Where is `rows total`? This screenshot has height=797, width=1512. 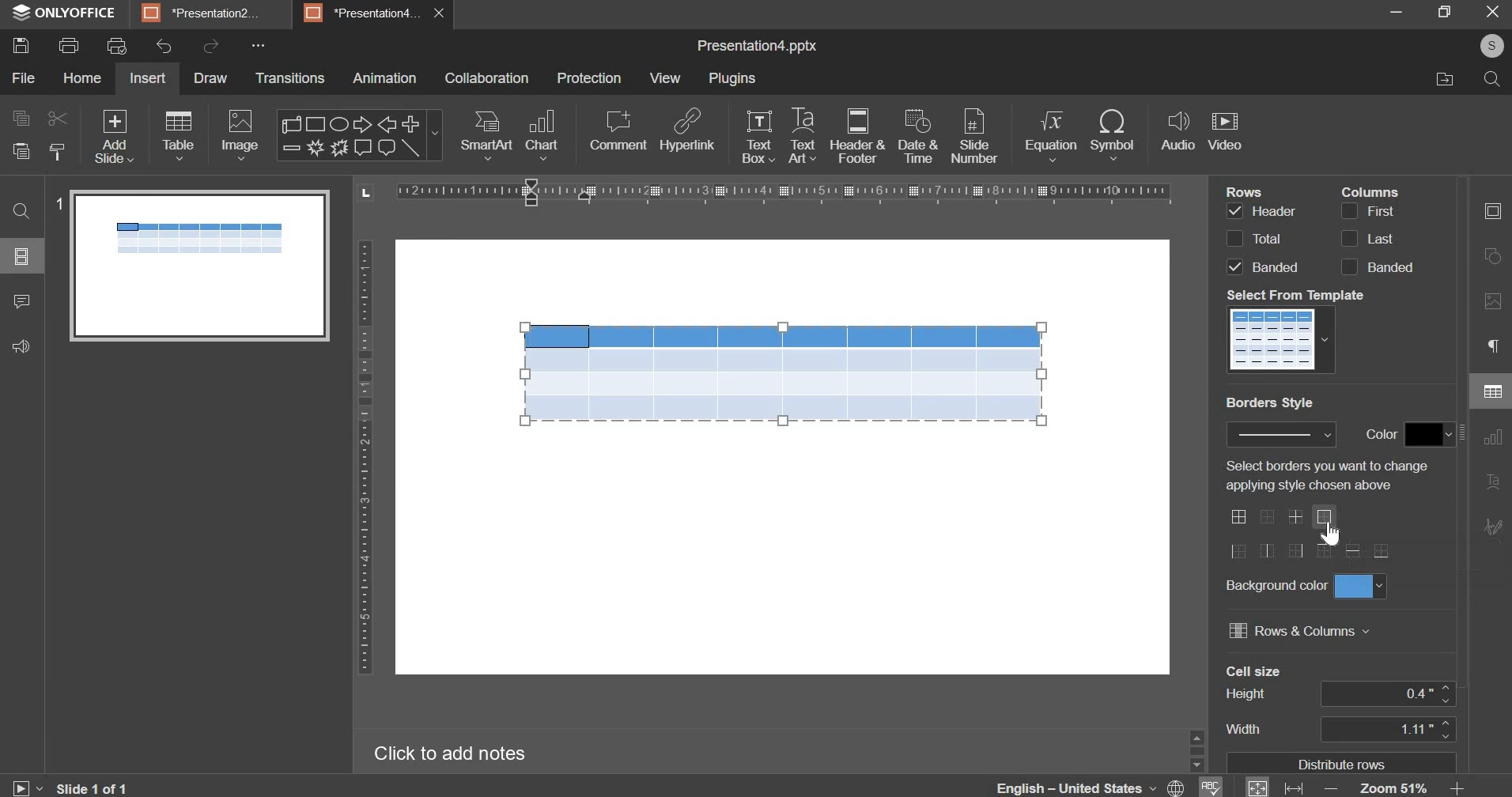 rows total is located at coordinates (1258, 239).